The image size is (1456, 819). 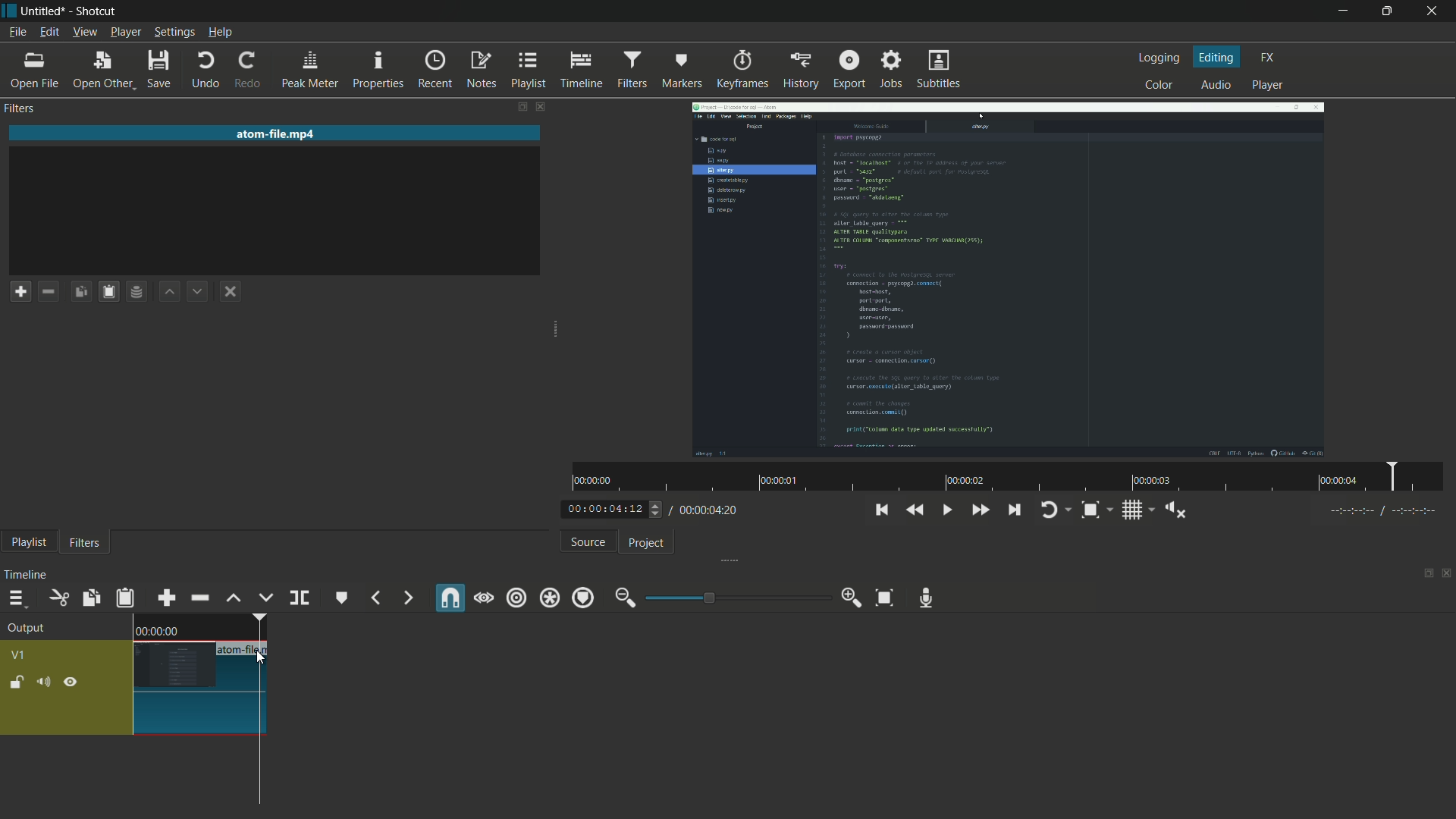 What do you see at coordinates (286, 701) in the screenshot?
I see `choose recent color` at bounding box center [286, 701].